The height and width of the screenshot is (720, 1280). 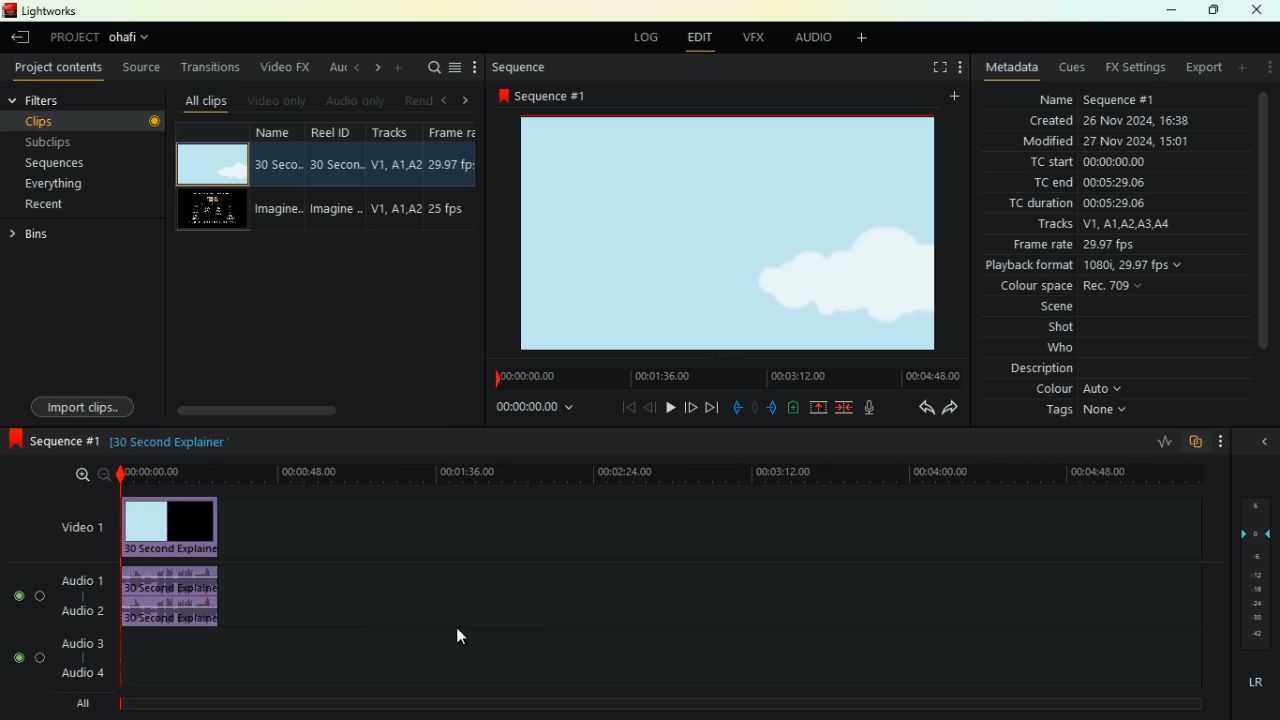 I want to click on audio1, so click(x=83, y=581).